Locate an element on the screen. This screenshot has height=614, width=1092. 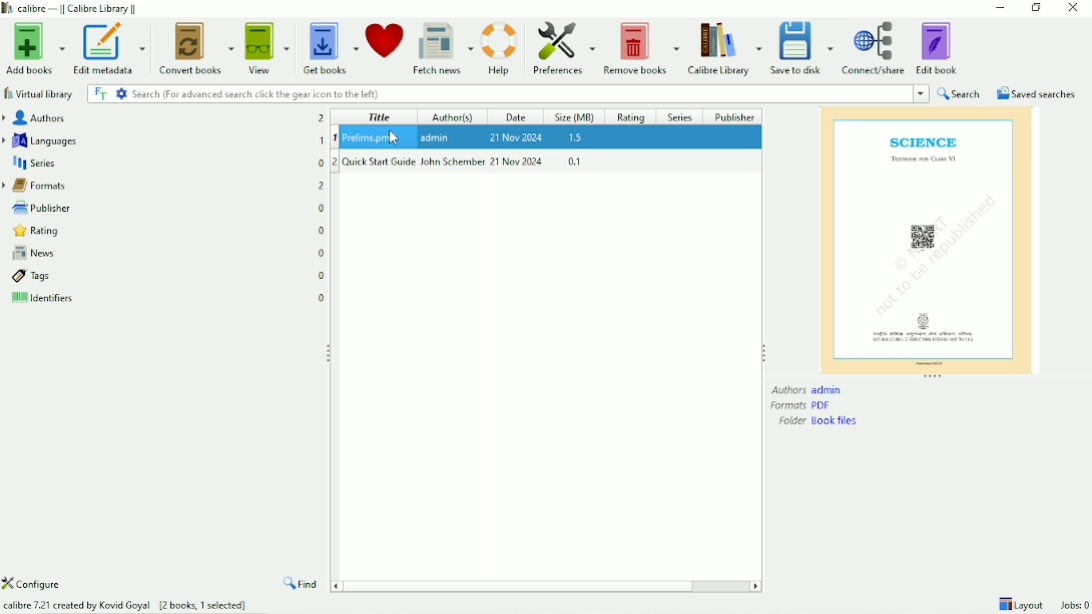
1.5 is located at coordinates (576, 138).